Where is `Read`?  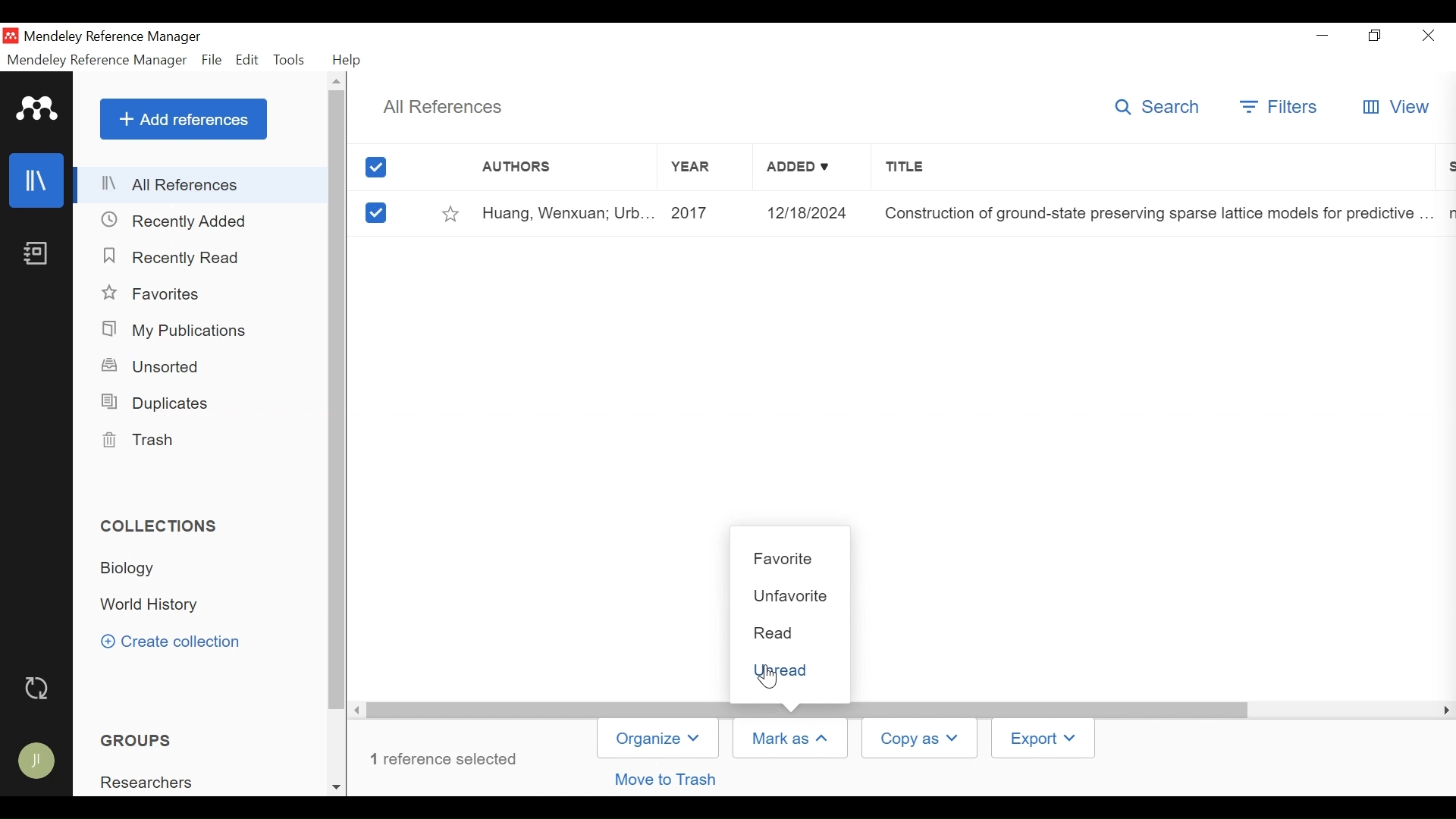
Read is located at coordinates (791, 632).